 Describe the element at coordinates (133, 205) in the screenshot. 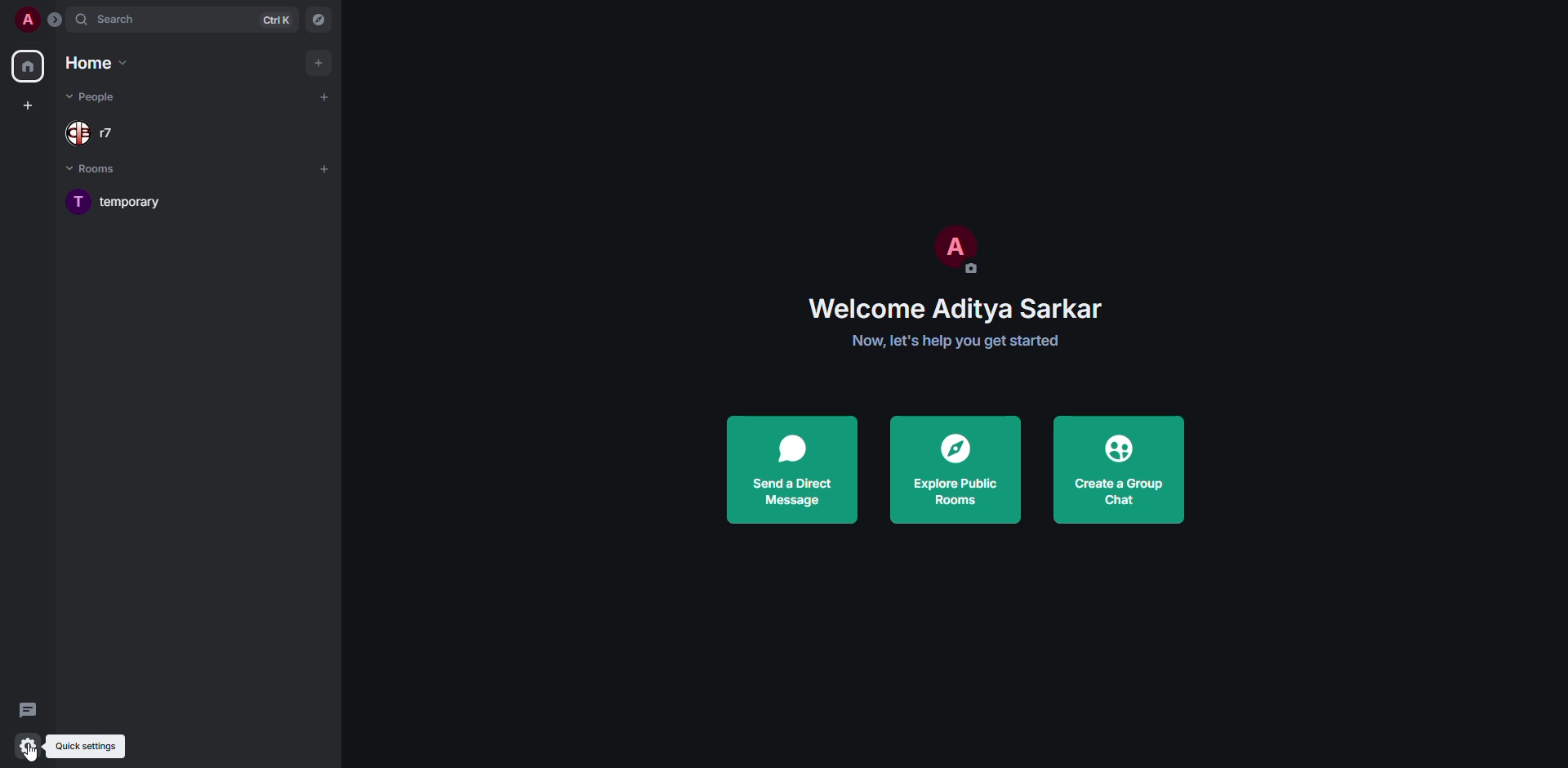

I see `room` at that location.